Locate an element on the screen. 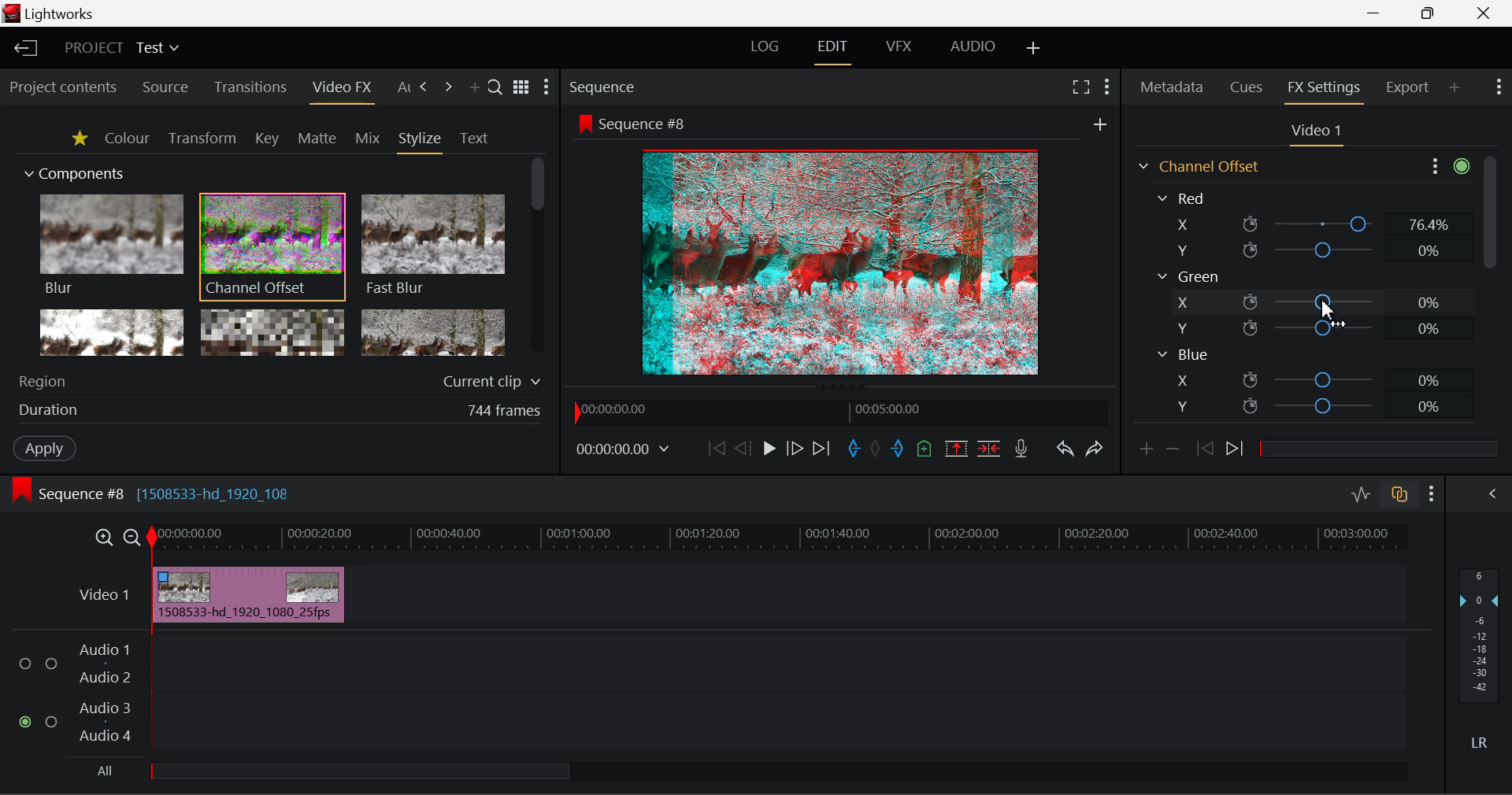 The width and height of the screenshot is (1512, 795). Green is located at coordinates (1188, 276).